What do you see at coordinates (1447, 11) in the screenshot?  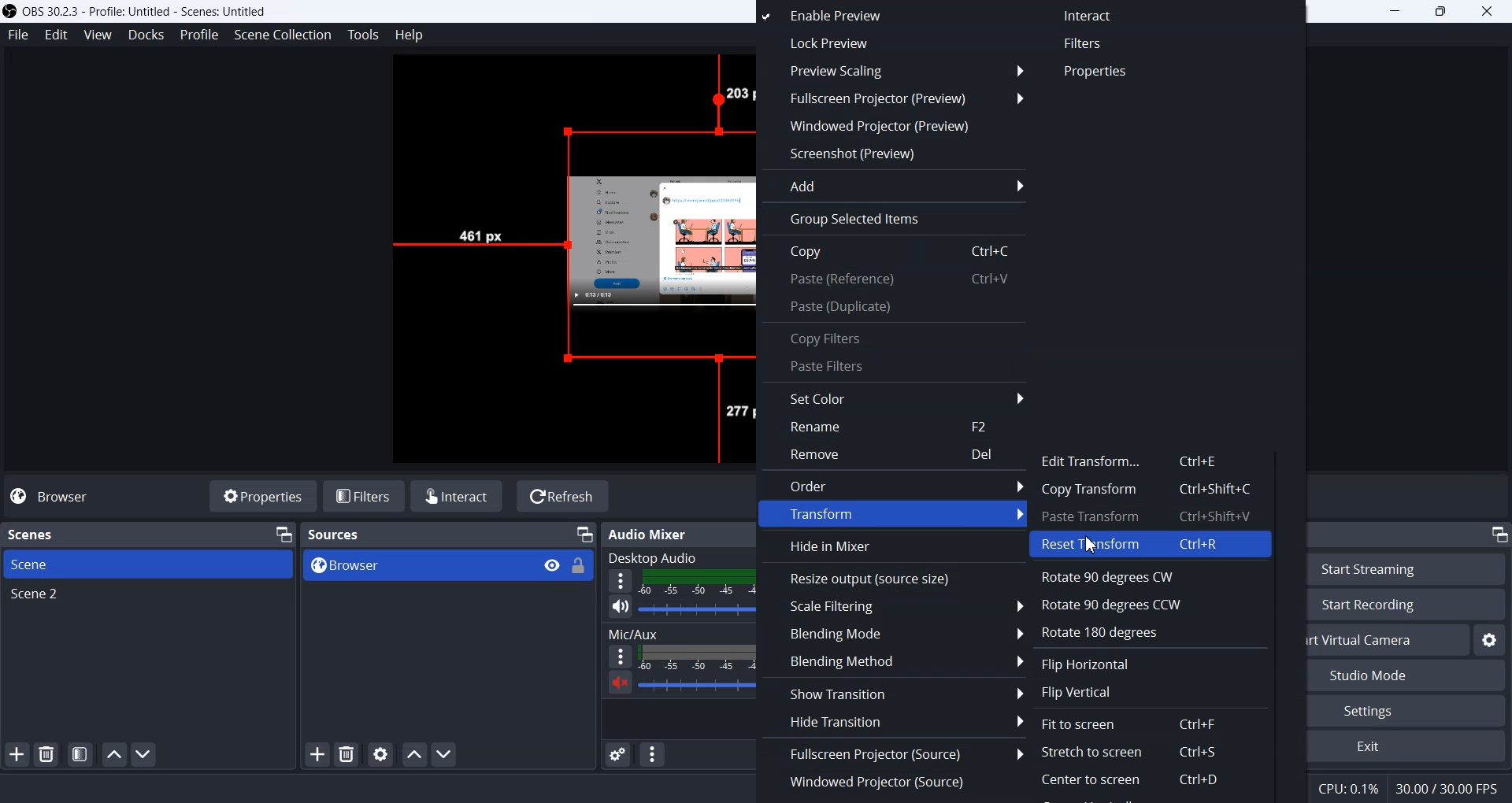 I see `Restore down ` at bounding box center [1447, 11].